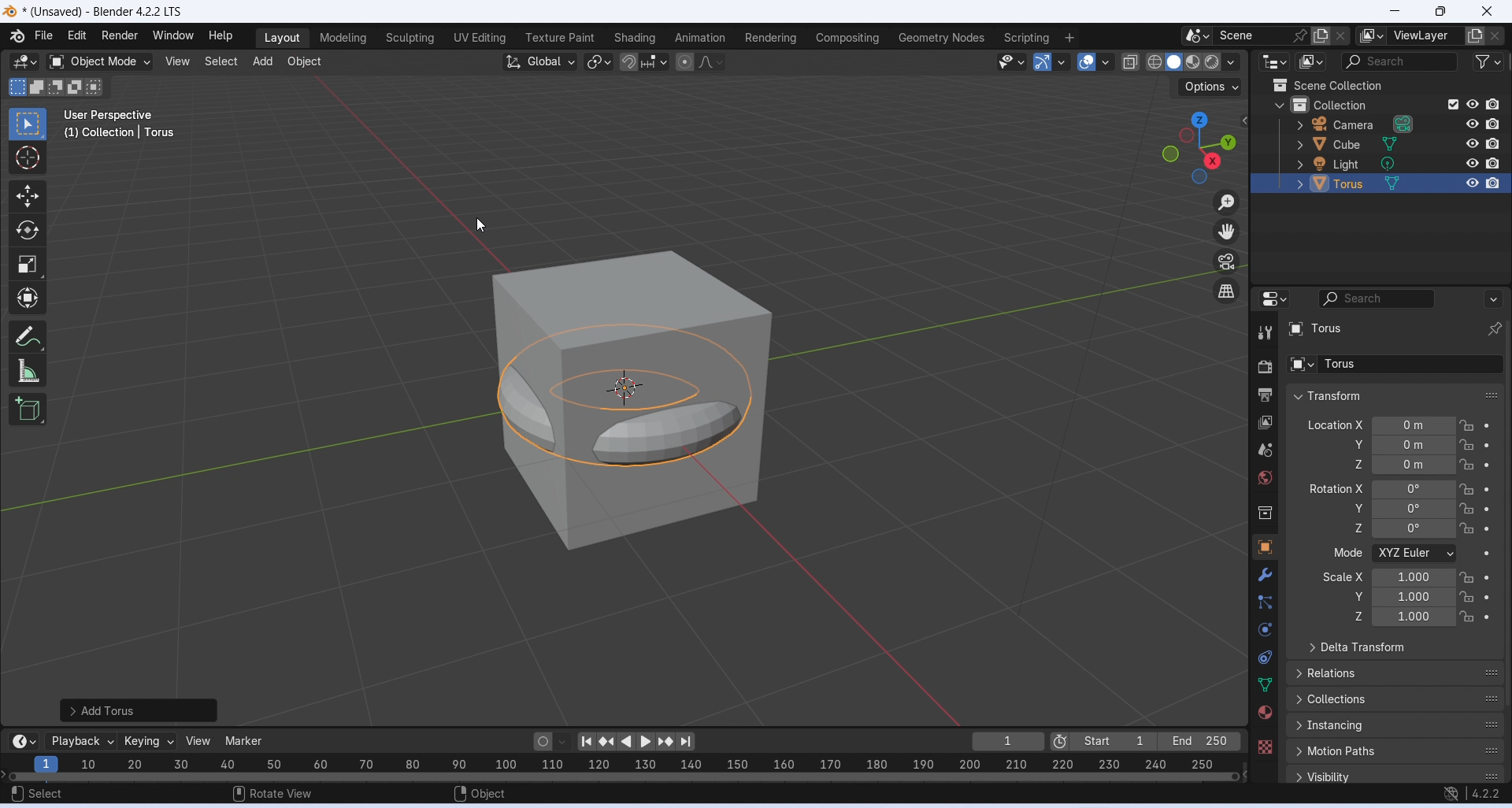  What do you see at coordinates (1268, 574) in the screenshot?
I see `Modifiers` at bounding box center [1268, 574].